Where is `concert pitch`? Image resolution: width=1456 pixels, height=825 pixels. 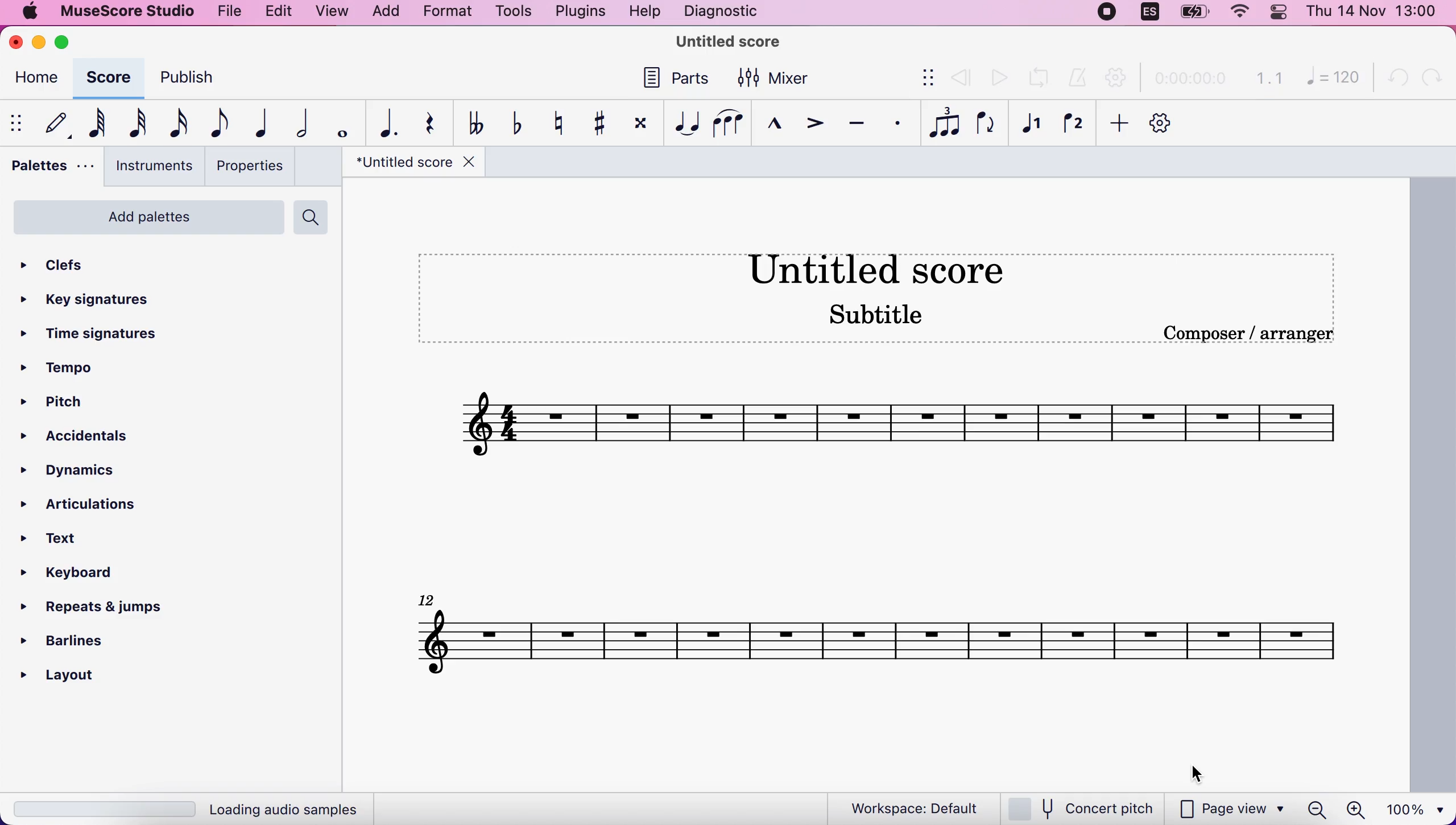 concert pitch is located at coordinates (1081, 807).